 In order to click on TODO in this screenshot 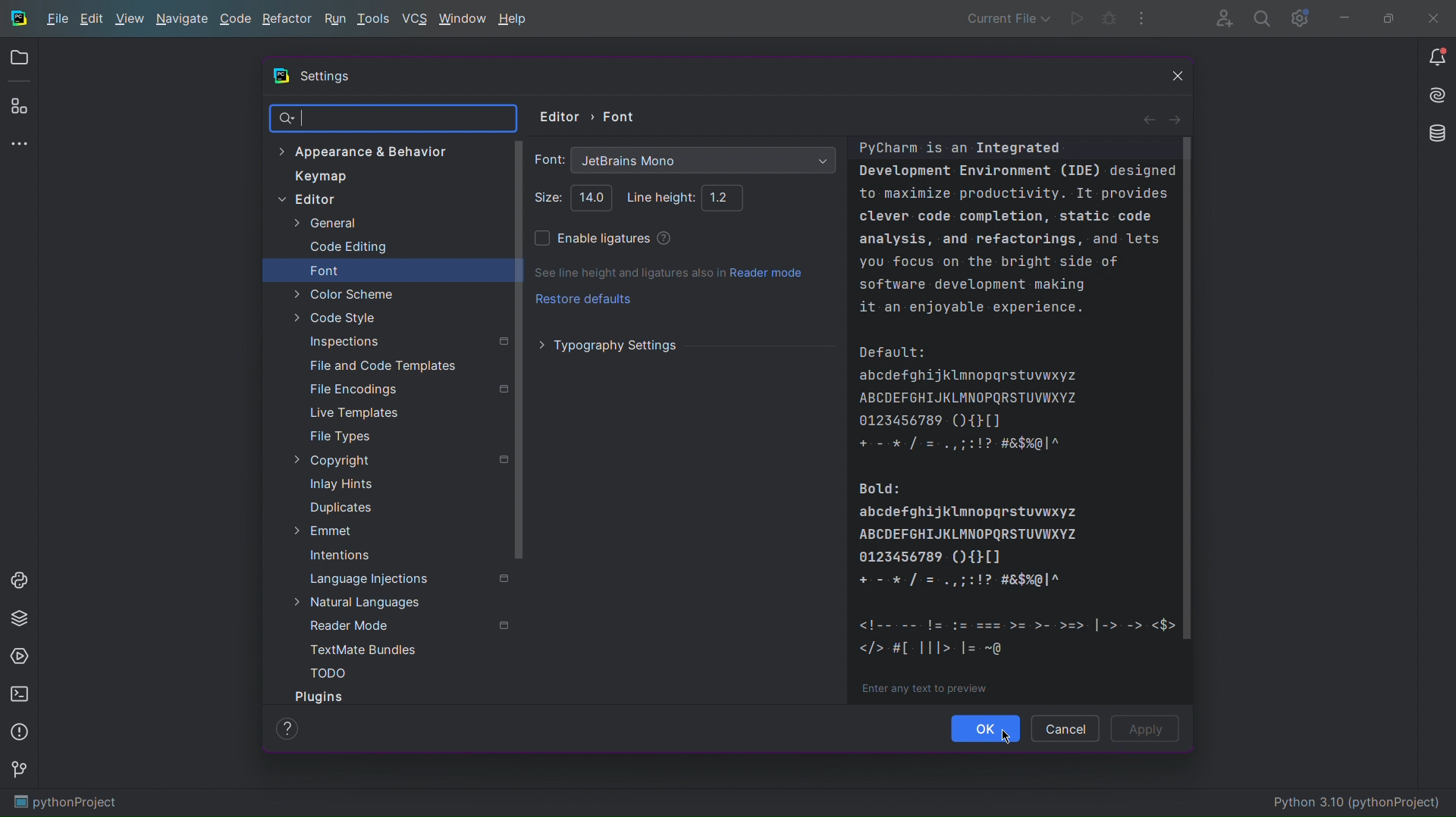, I will do `click(328, 672)`.